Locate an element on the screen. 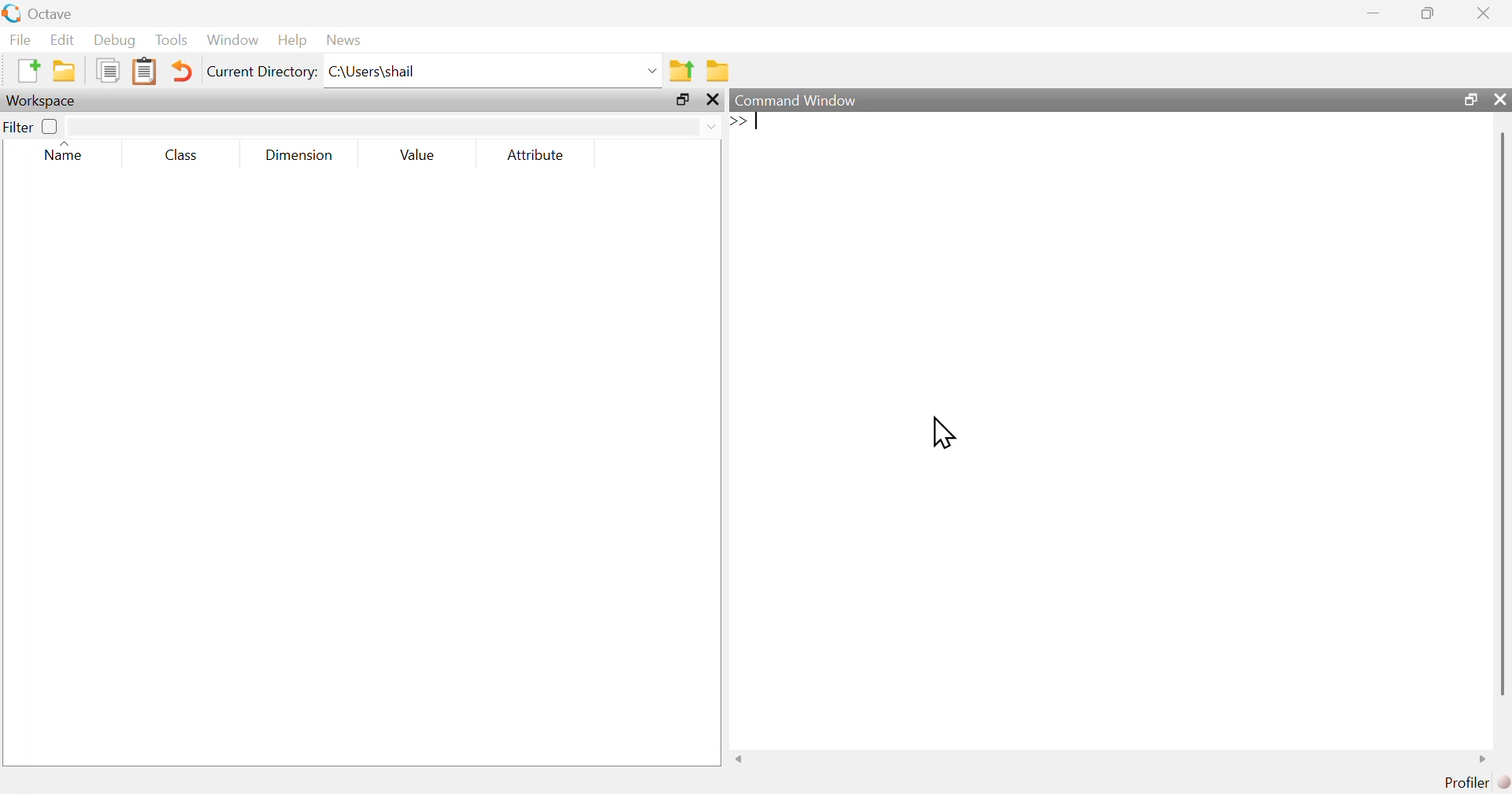 Image resolution: width=1512 pixels, height=794 pixels. Edit is located at coordinates (61, 39).